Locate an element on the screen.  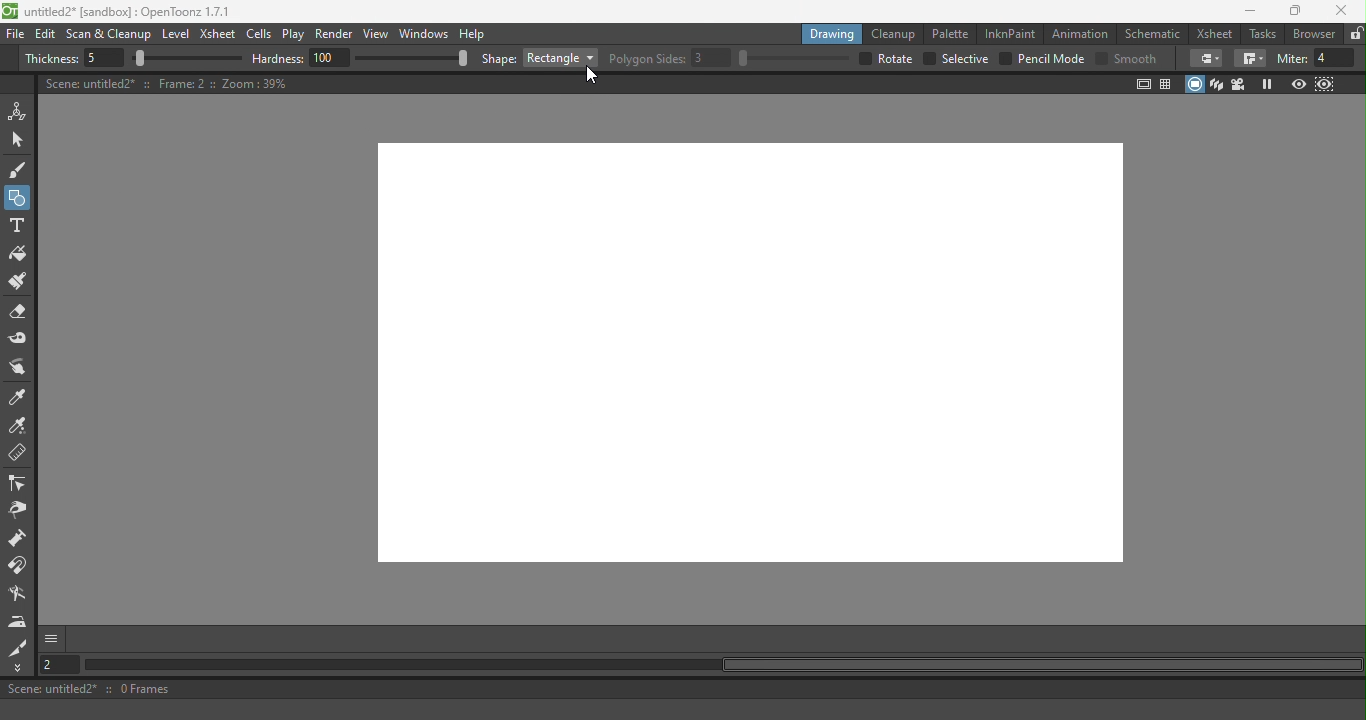
Minimize is located at coordinates (1251, 11).